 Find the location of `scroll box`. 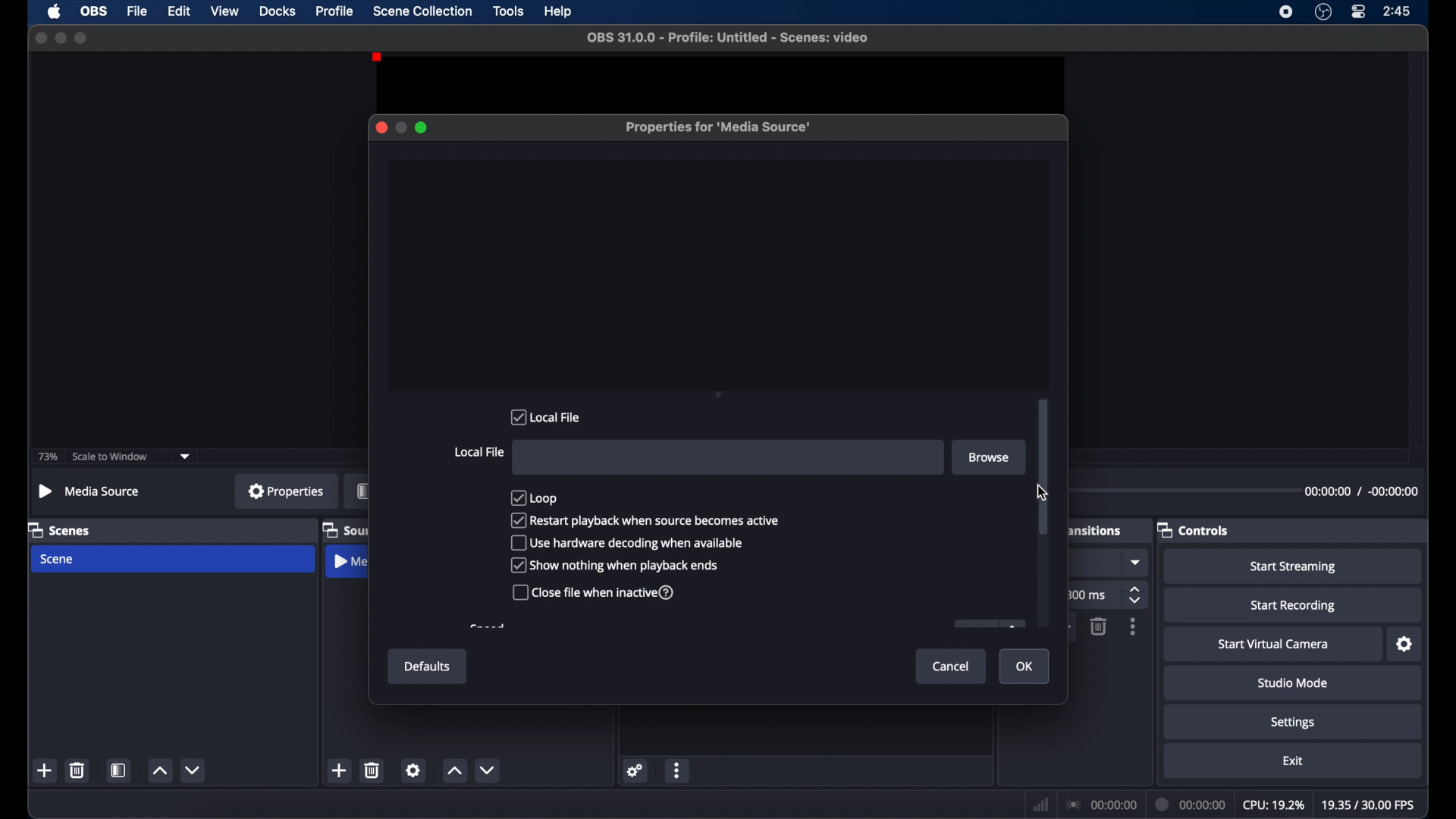

scroll box is located at coordinates (1043, 467).